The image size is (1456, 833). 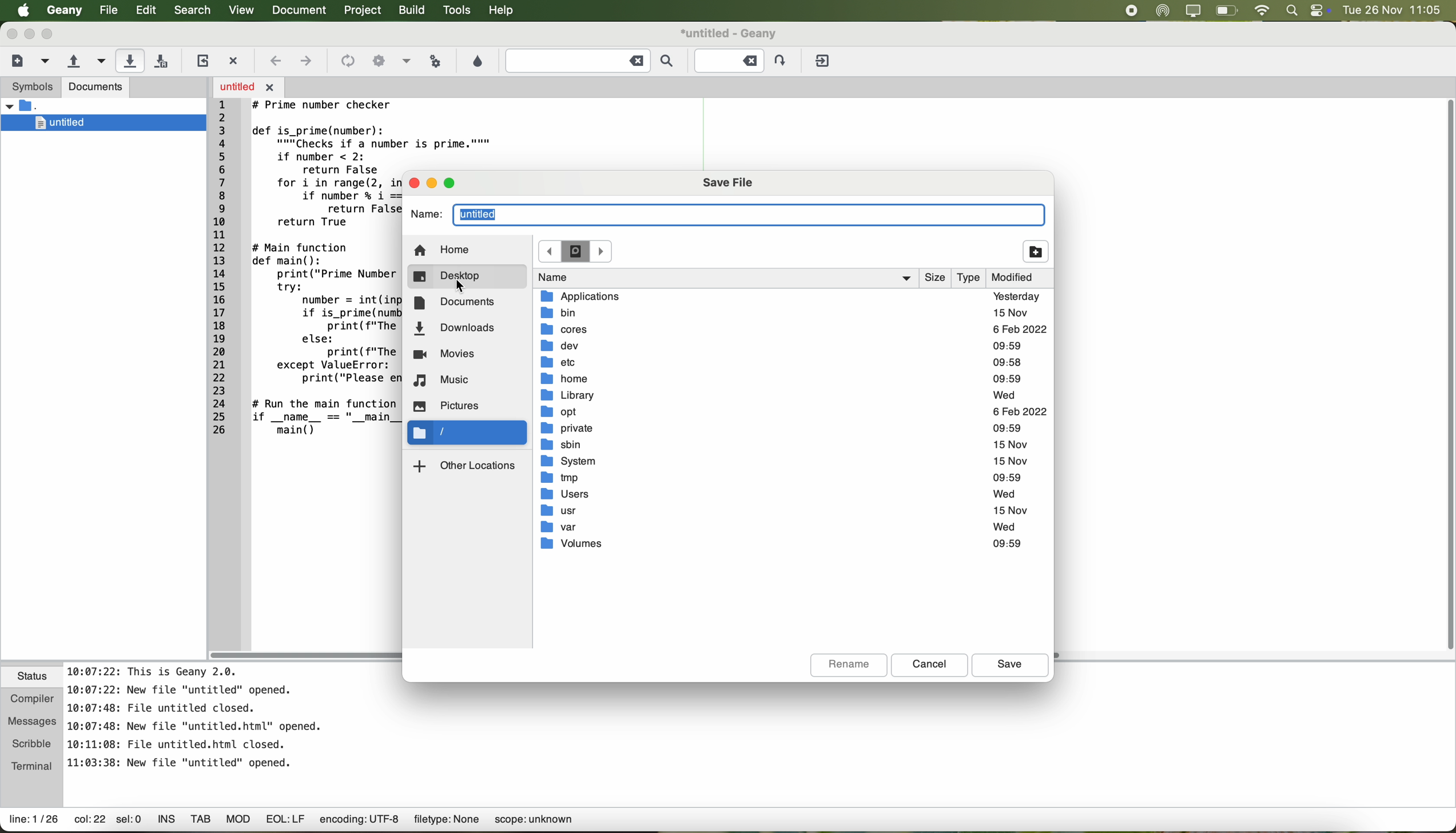 I want to click on save all open files, so click(x=164, y=60).